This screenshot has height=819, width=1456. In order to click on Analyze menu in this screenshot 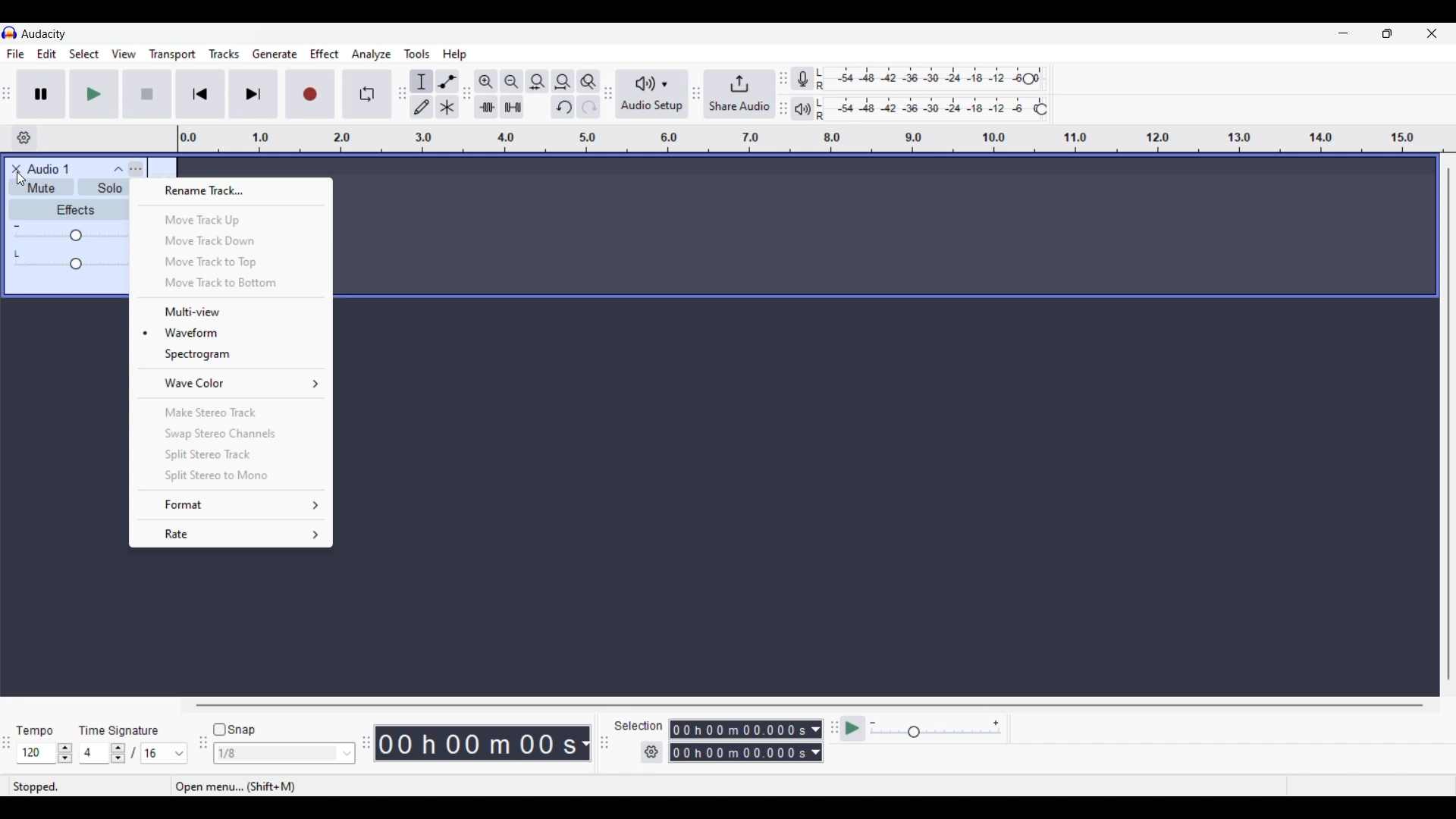, I will do `click(372, 54)`.